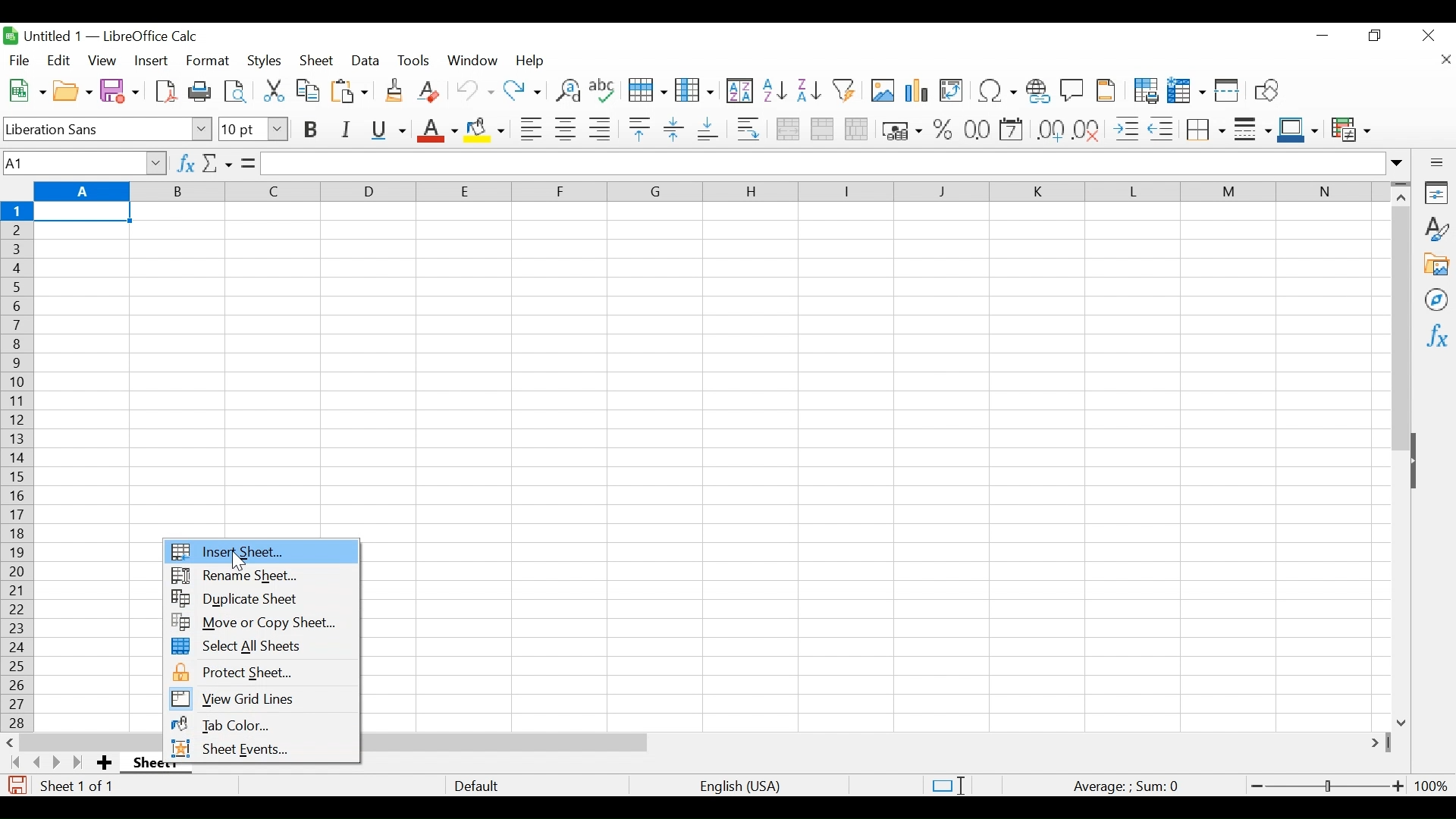  What do you see at coordinates (80, 786) in the screenshot?
I see `Sheet number` at bounding box center [80, 786].